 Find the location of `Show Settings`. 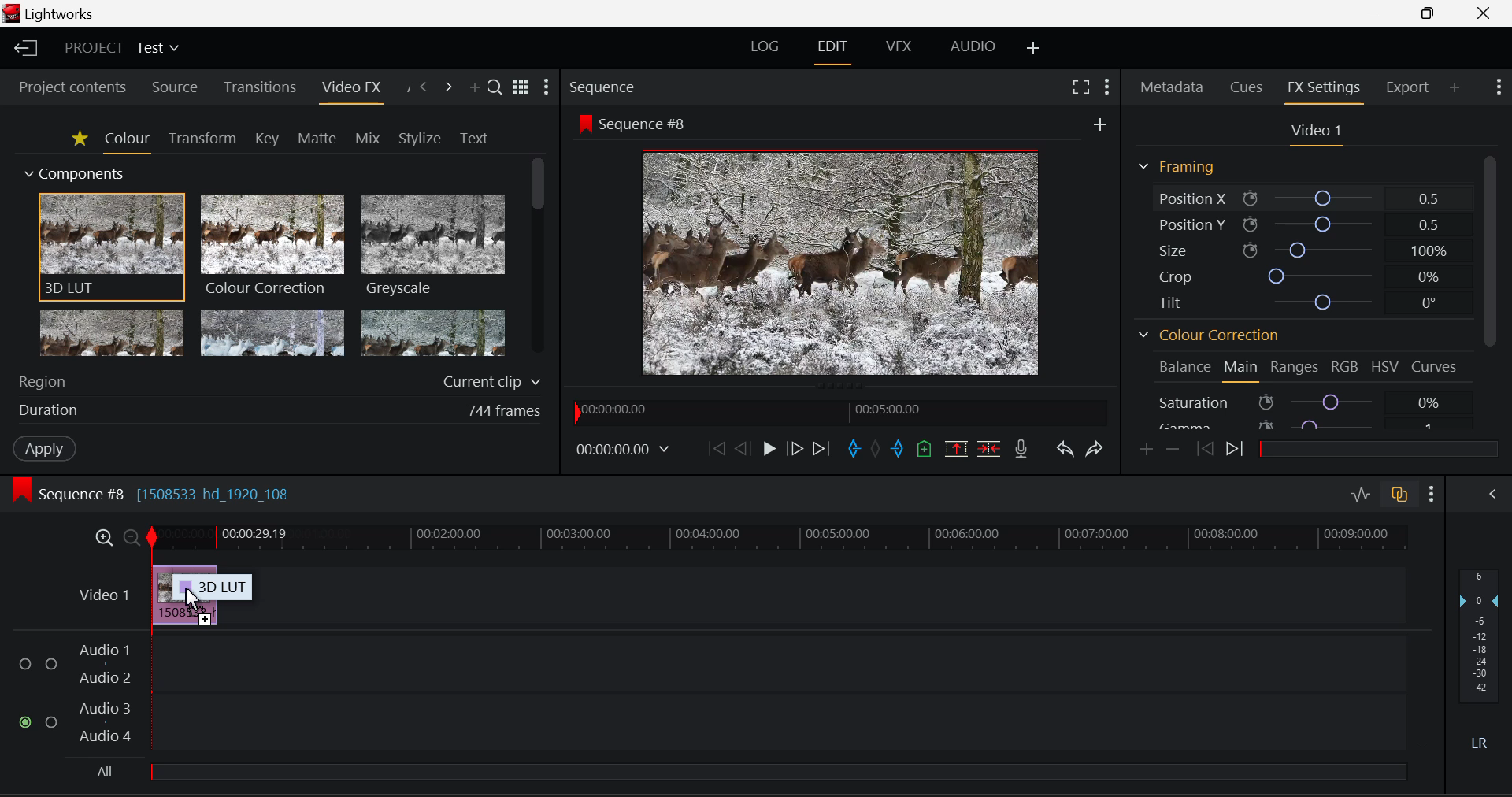

Show Settings is located at coordinates (1106, 85).